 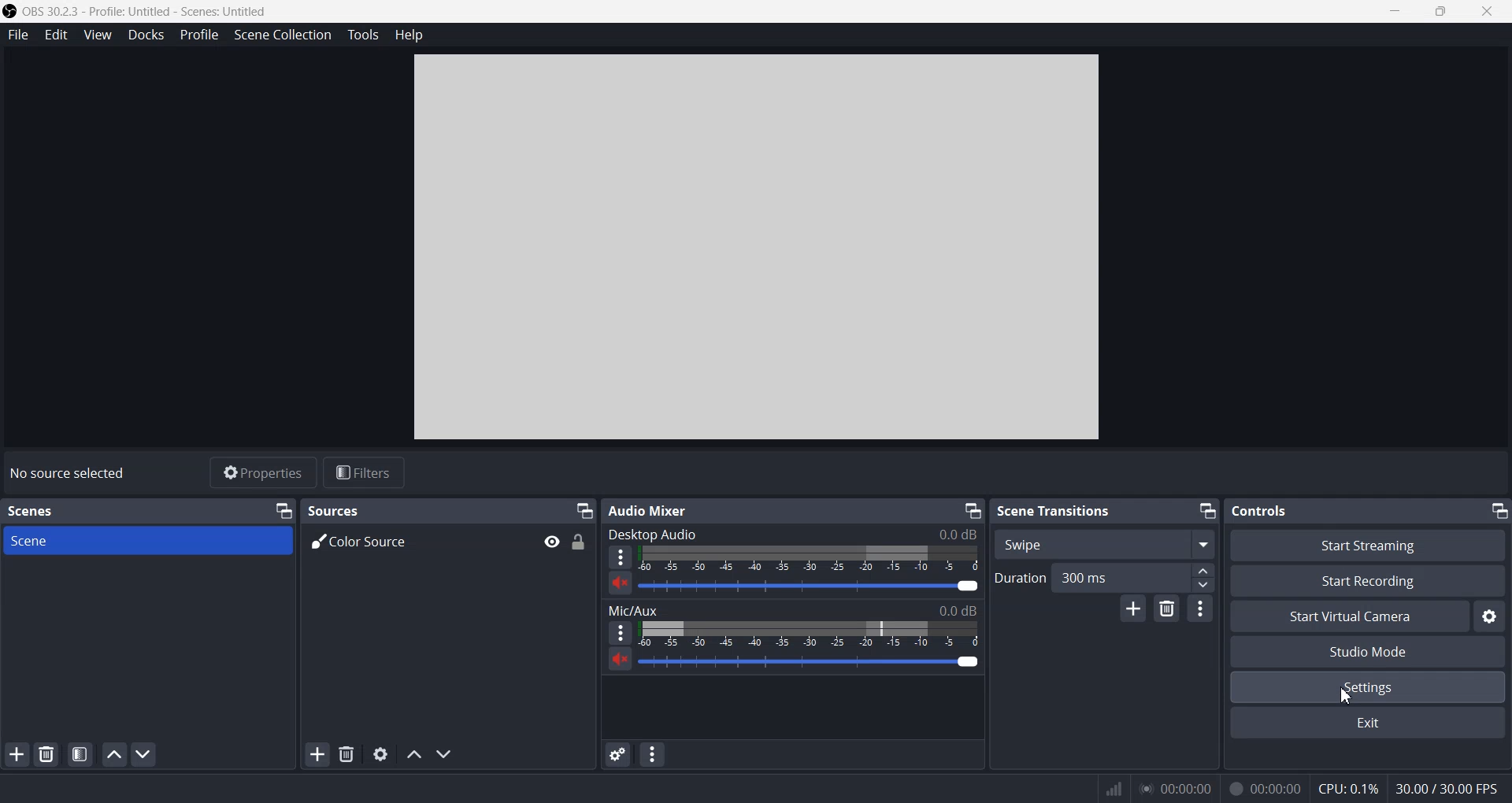 I want to click on Open scene filter, so click(x=80, y=754).